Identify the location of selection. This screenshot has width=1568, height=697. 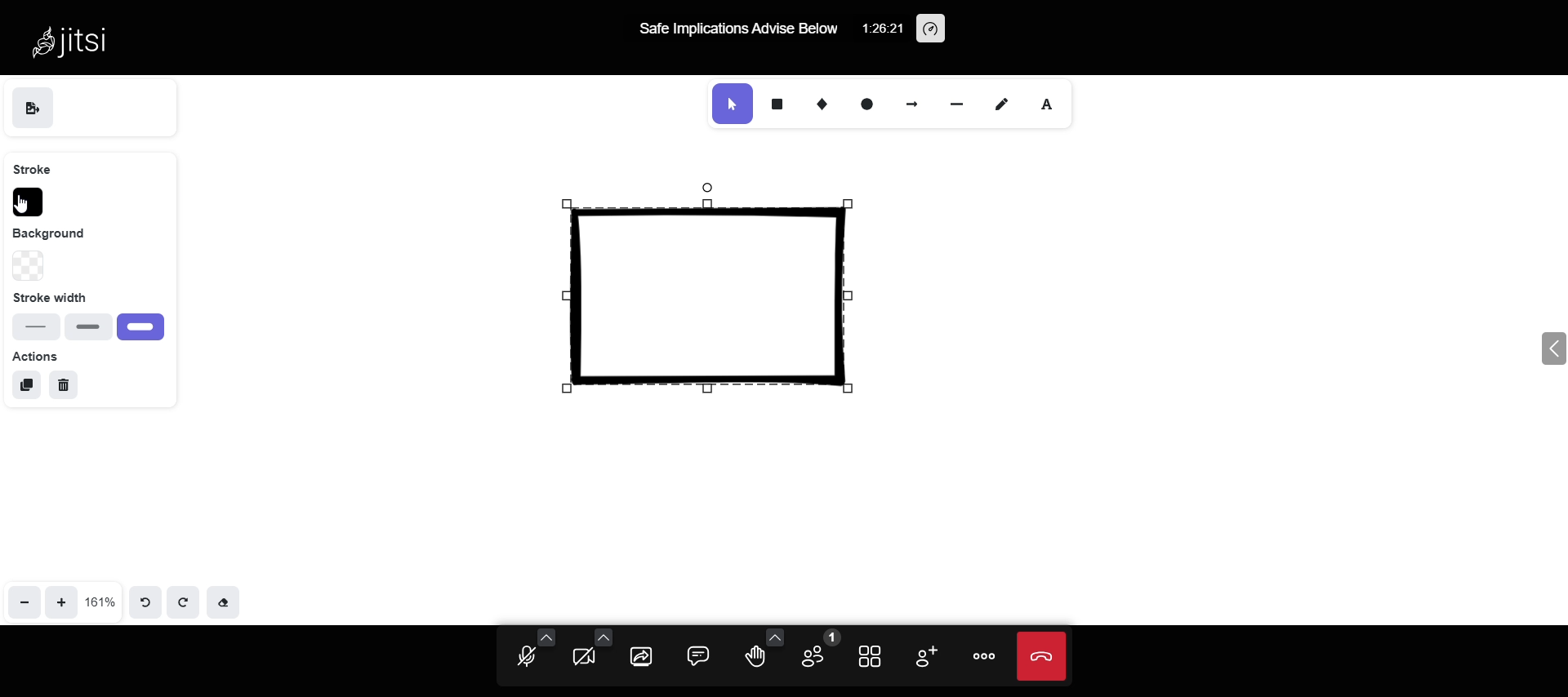
(731, 102).